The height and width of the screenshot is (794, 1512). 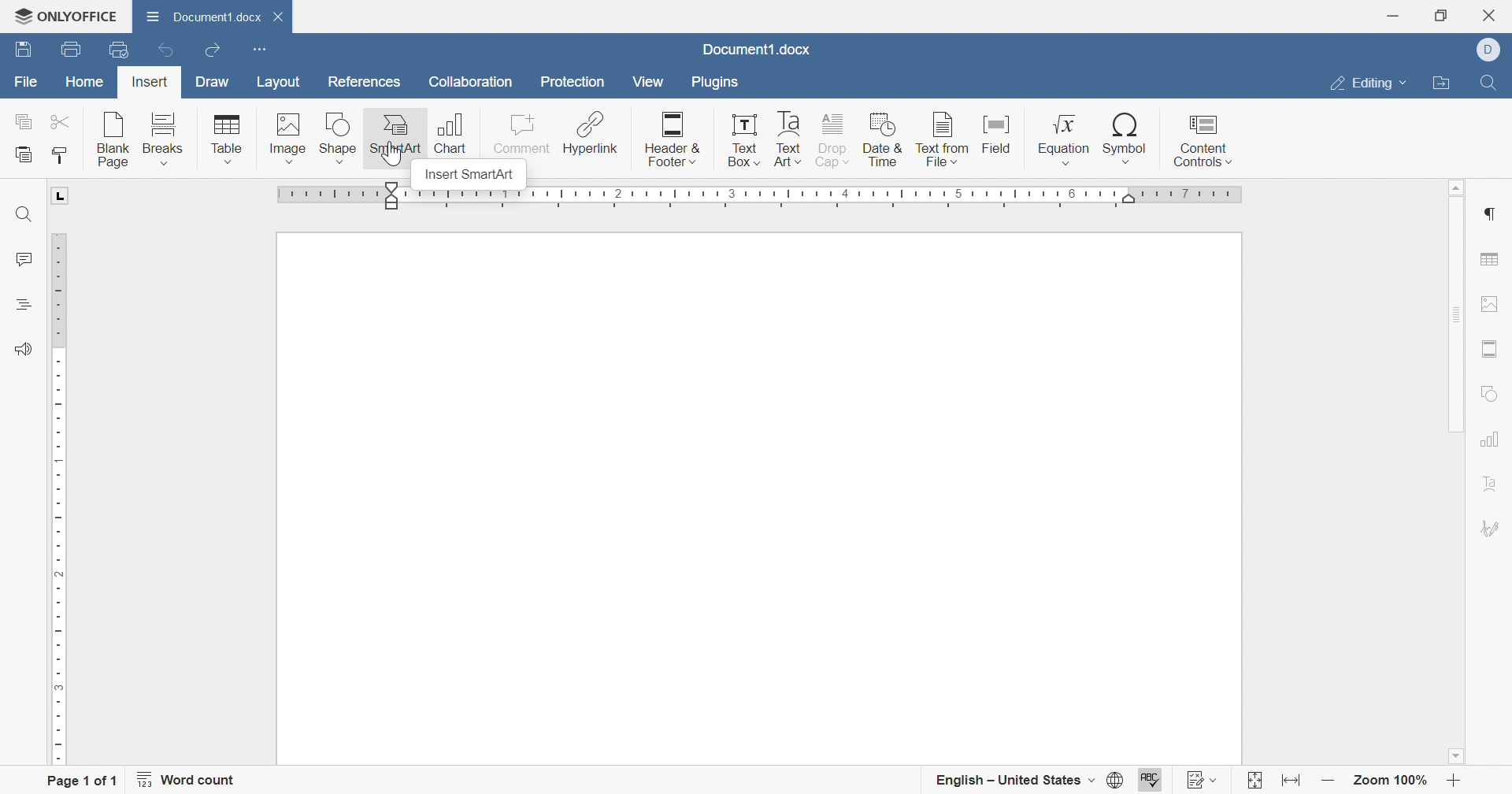 I want to click on Page 1 of 1, so click(x=80, y=779).